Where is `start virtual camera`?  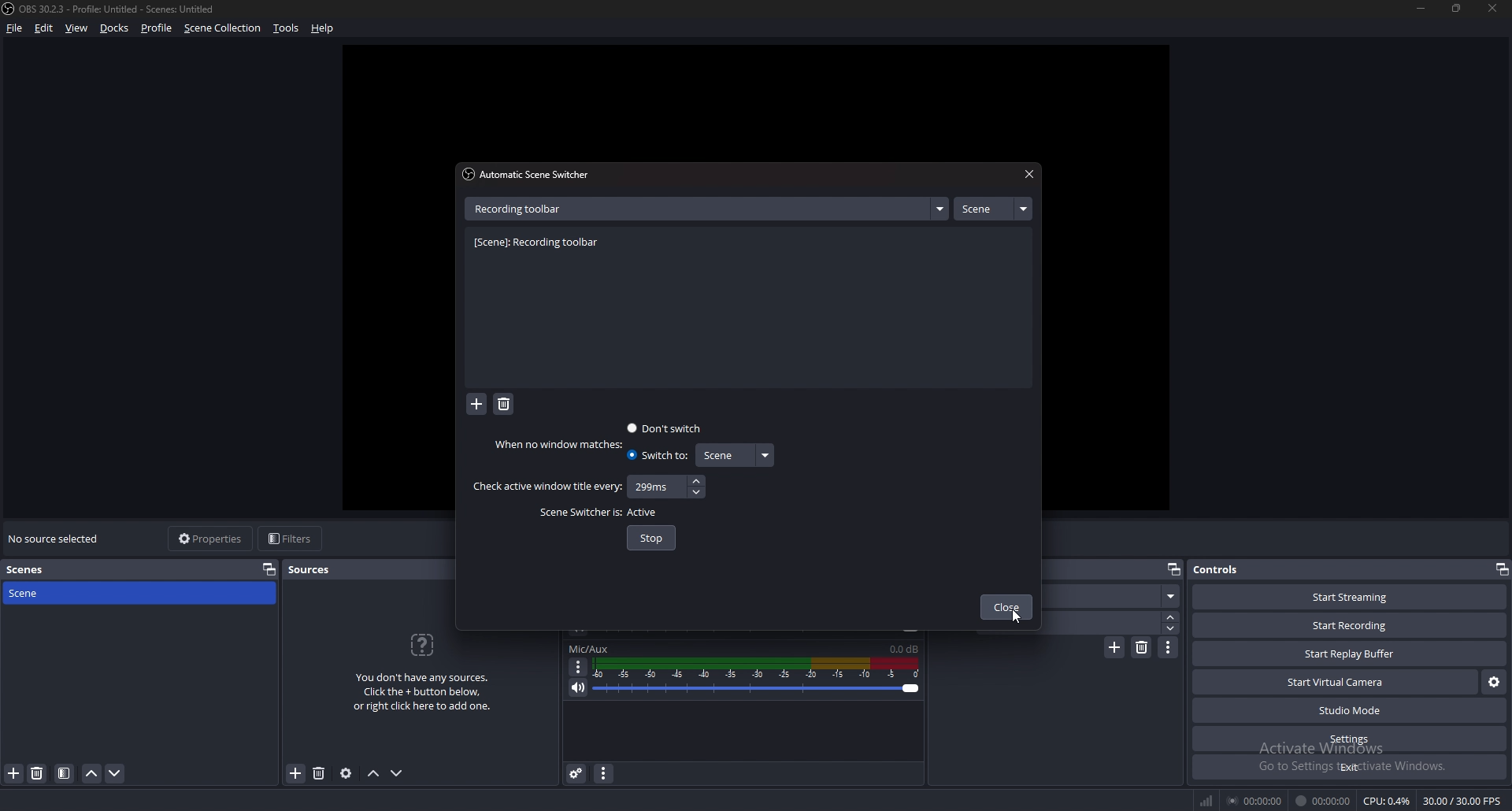 start virtual camera is located at coordinates (1337, 682).